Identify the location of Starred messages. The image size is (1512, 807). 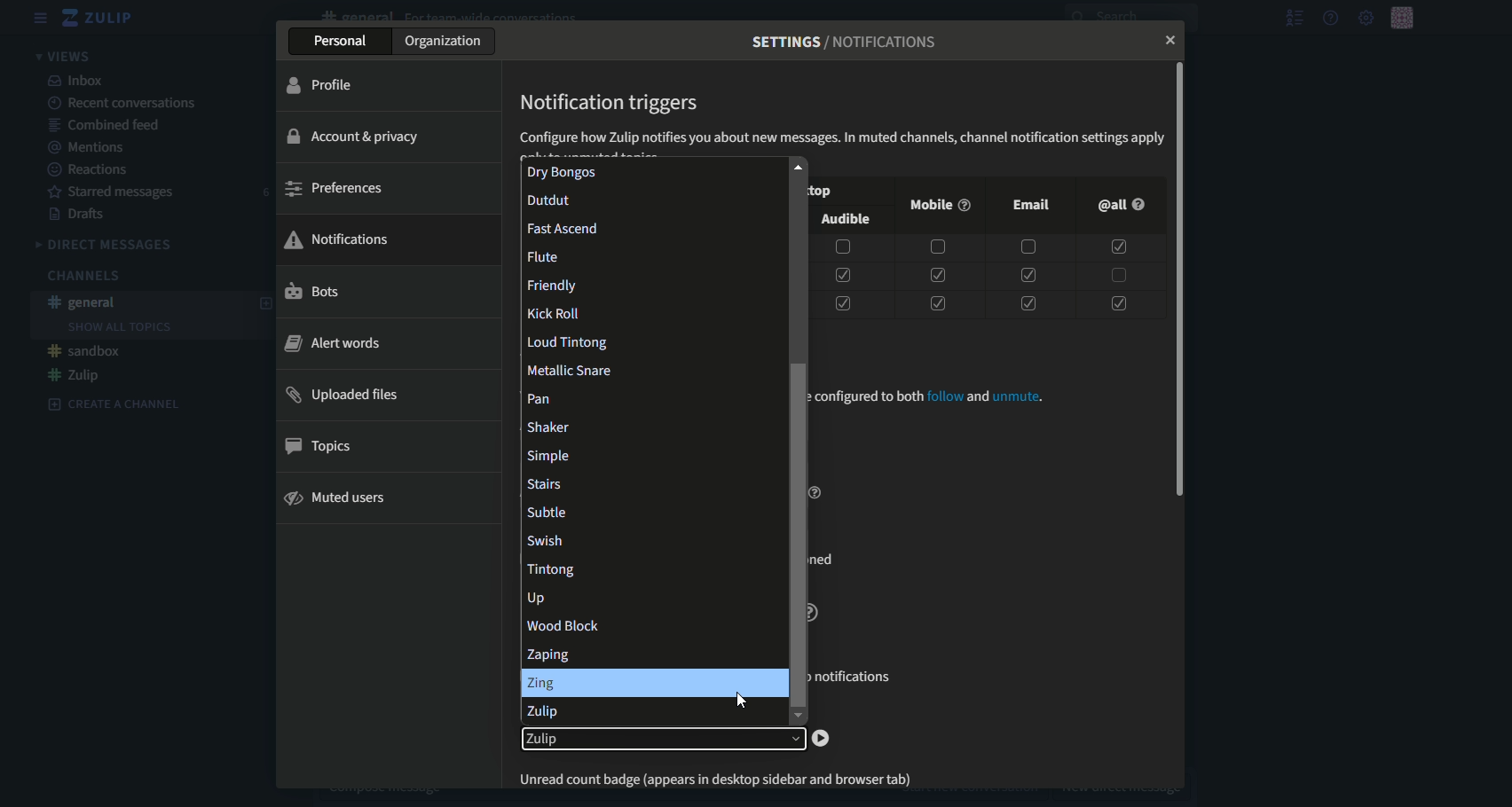
(114, 193).